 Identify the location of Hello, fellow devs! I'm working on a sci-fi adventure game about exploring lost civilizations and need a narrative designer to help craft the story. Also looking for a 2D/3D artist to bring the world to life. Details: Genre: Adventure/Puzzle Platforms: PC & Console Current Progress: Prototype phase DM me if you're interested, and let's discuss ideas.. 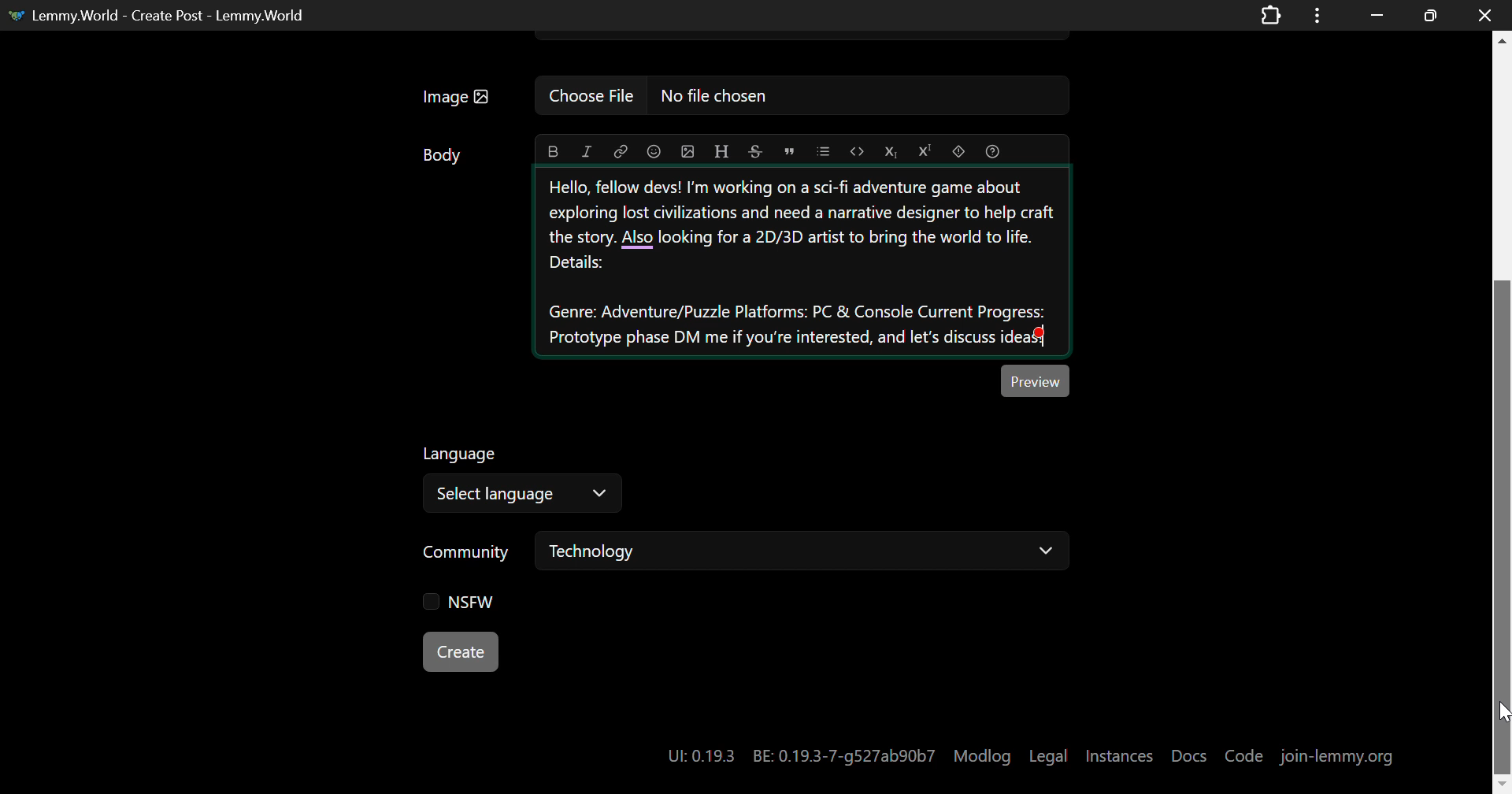
(803, 262).